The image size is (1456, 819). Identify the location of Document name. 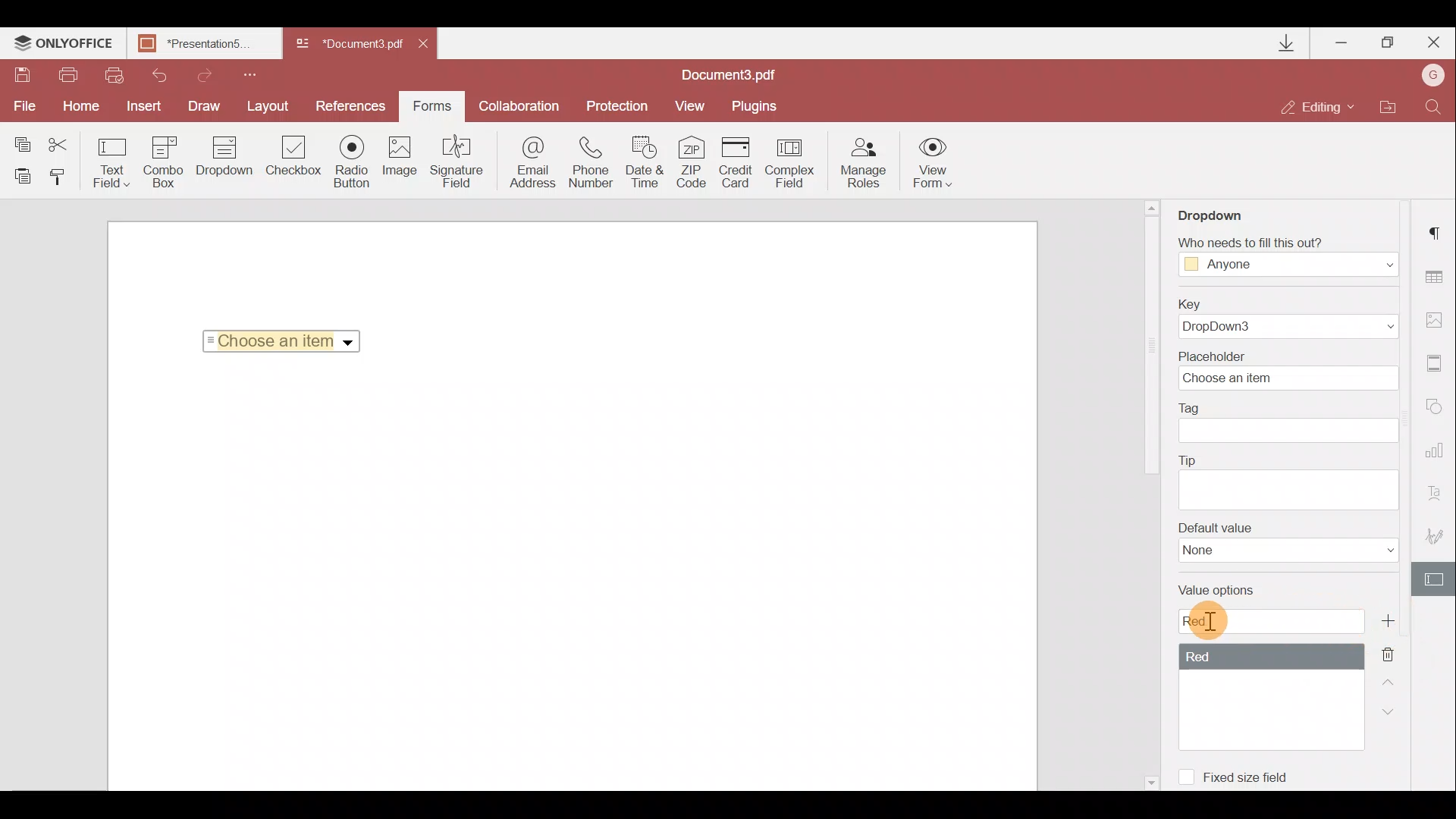
(347, 45).